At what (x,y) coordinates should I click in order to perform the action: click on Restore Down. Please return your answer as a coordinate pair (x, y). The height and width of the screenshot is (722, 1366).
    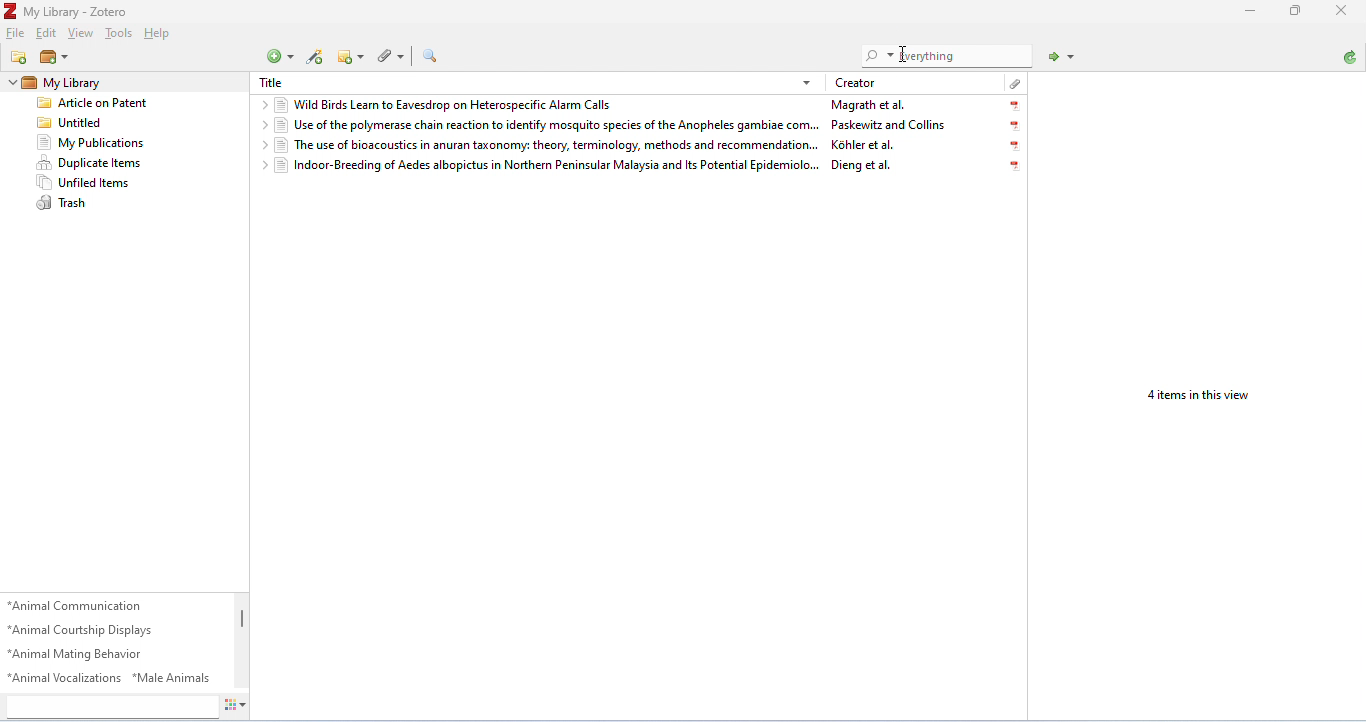
    Looking at the image, I should click on (1252, 11).